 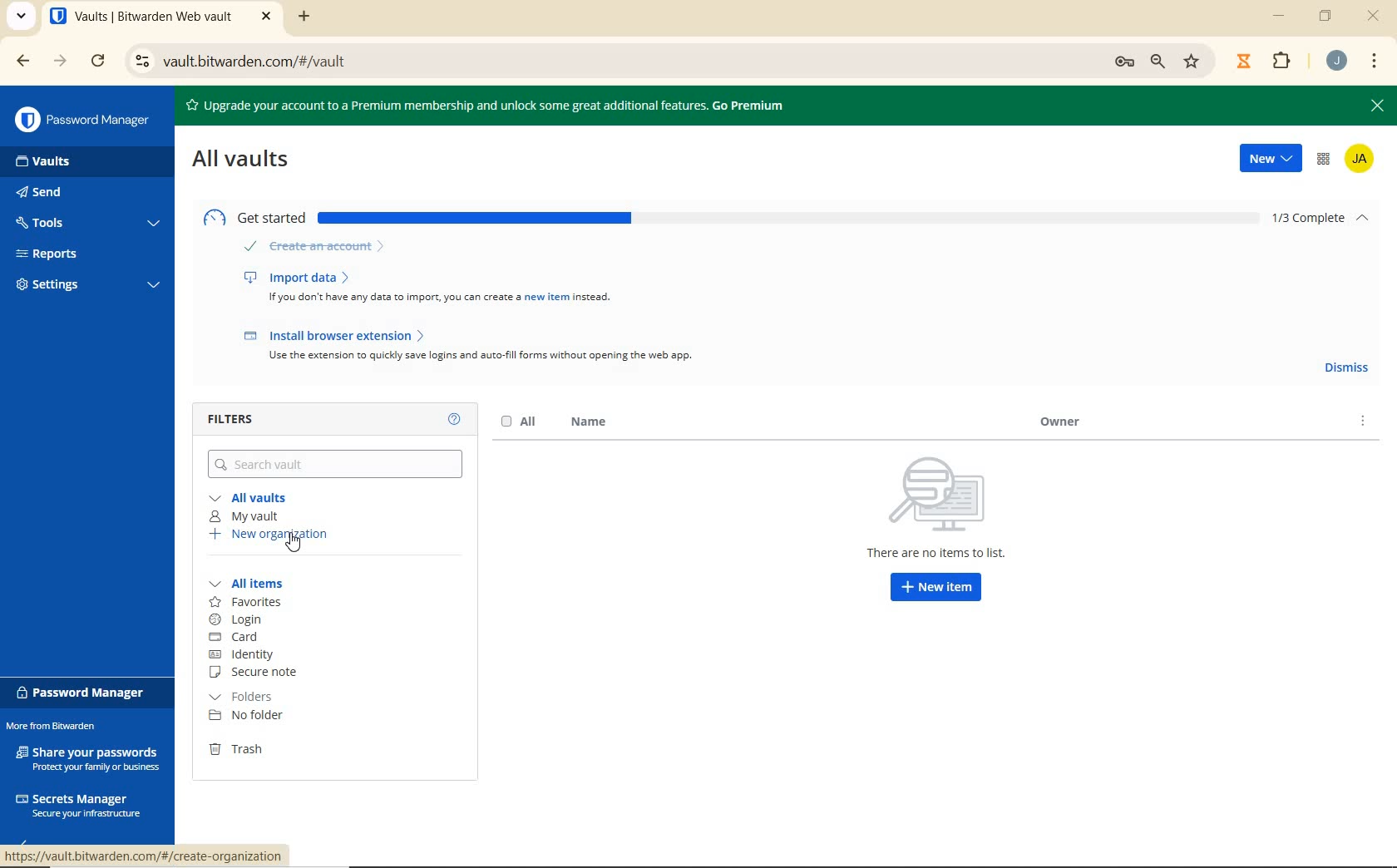 What do you see at coordinates (337, 462) in the screenshot?
I see `search vault` at bounding box center [337, 462].